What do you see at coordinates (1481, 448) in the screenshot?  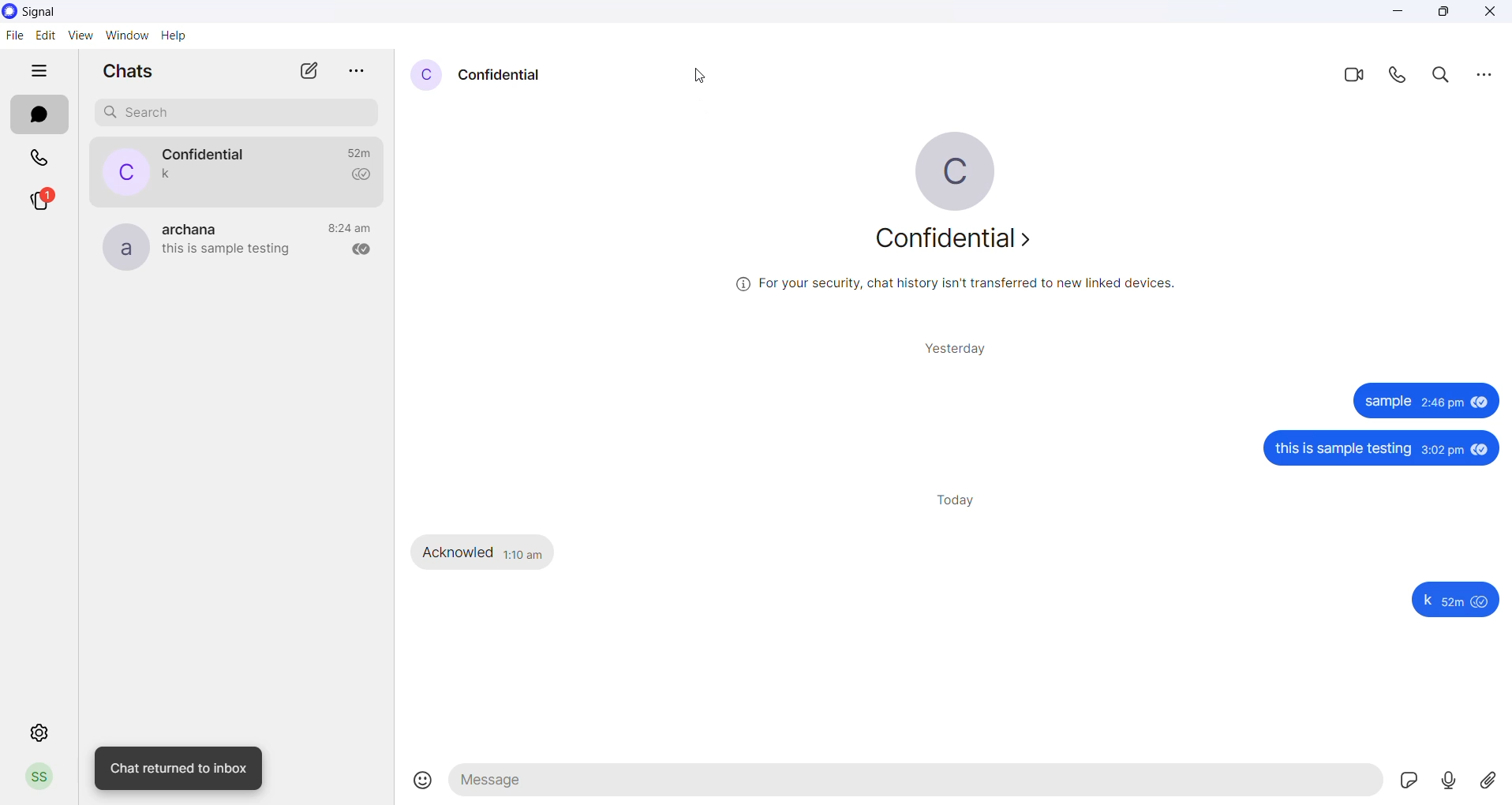 I see `seen` at bounding box center [1481, 448].